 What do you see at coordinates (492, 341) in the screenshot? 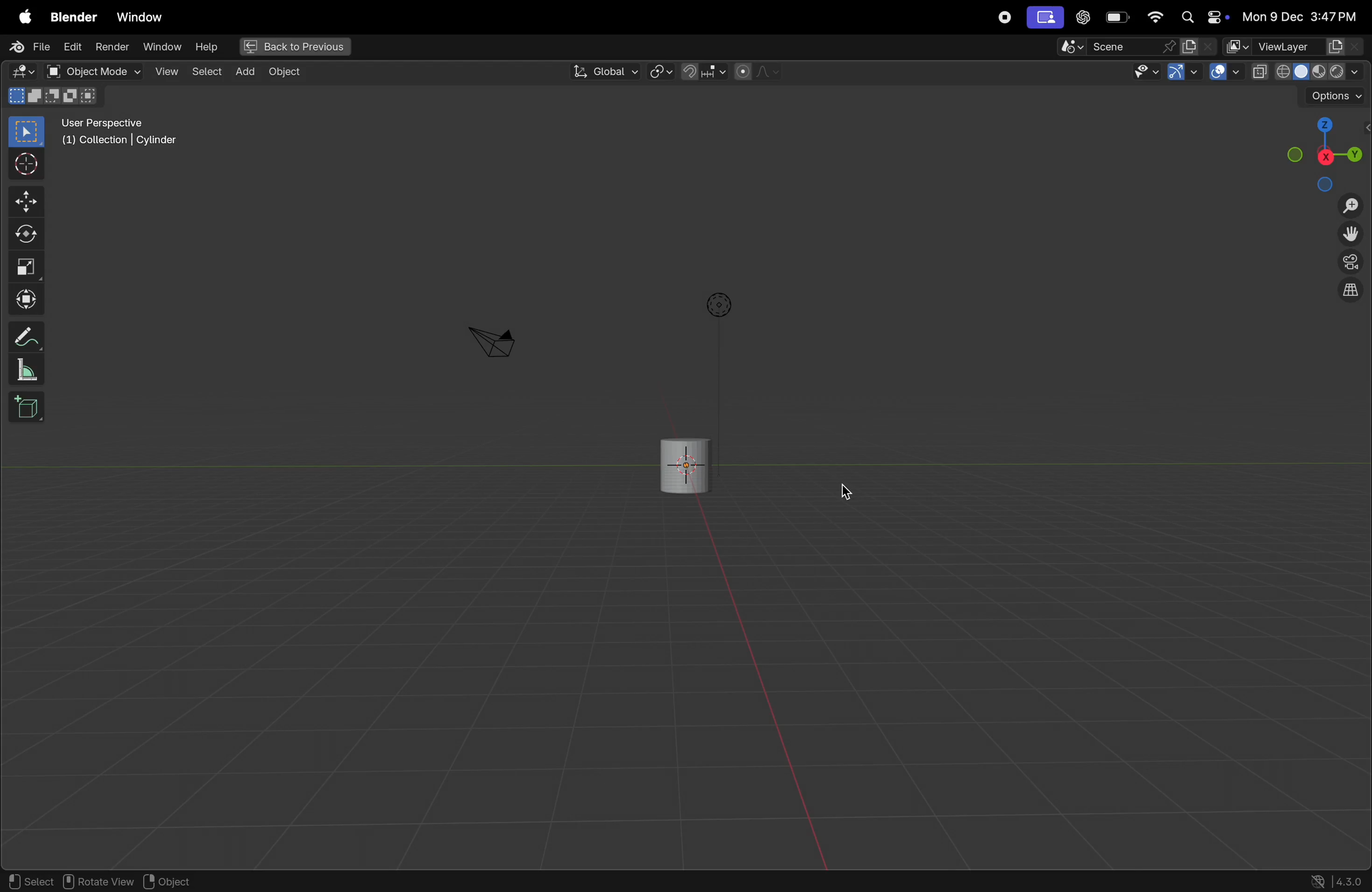
I see `camera` at bounding box center [492, 341].